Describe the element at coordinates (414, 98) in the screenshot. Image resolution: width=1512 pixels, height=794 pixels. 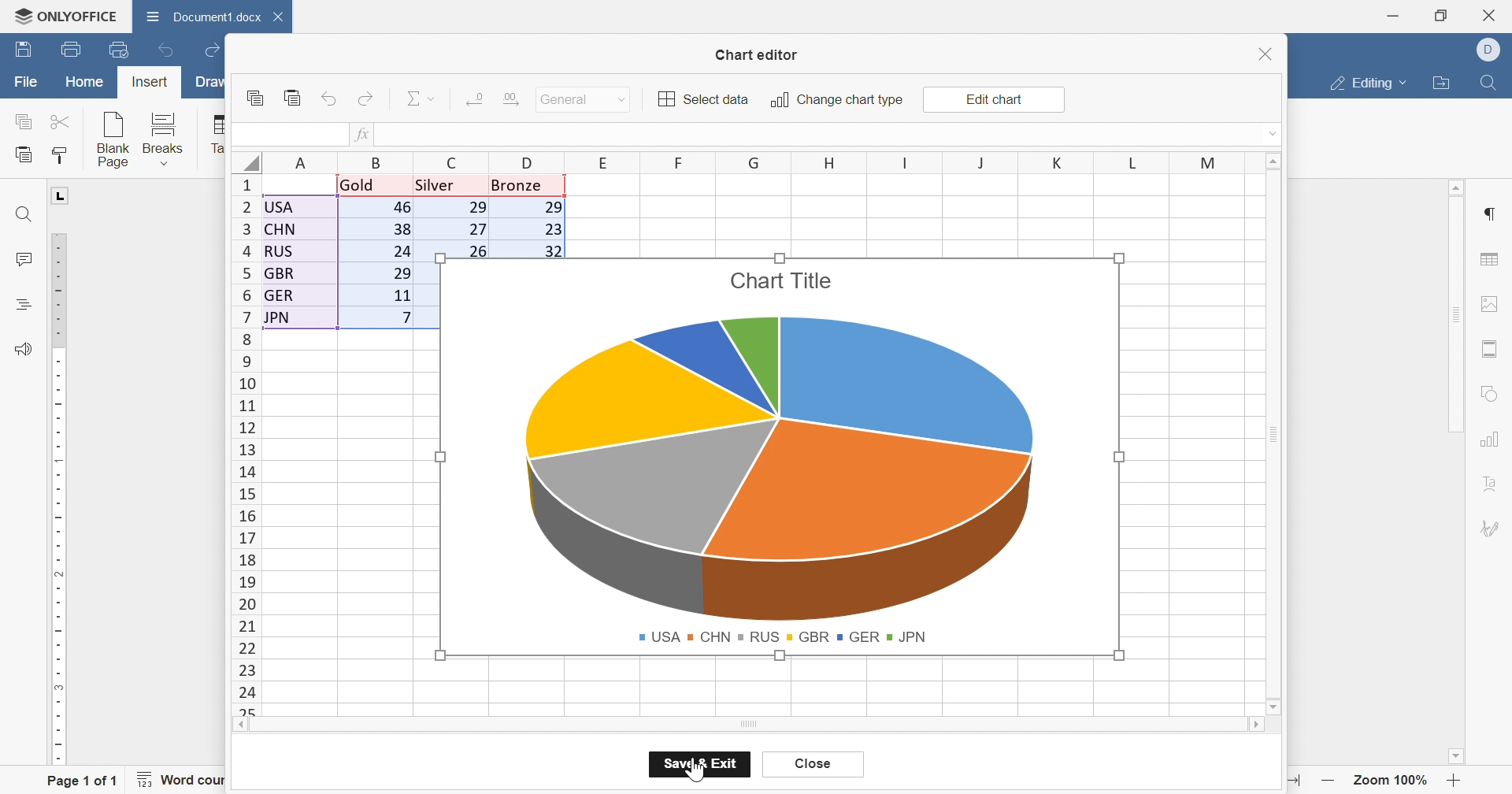
I see `Summation` at that location.